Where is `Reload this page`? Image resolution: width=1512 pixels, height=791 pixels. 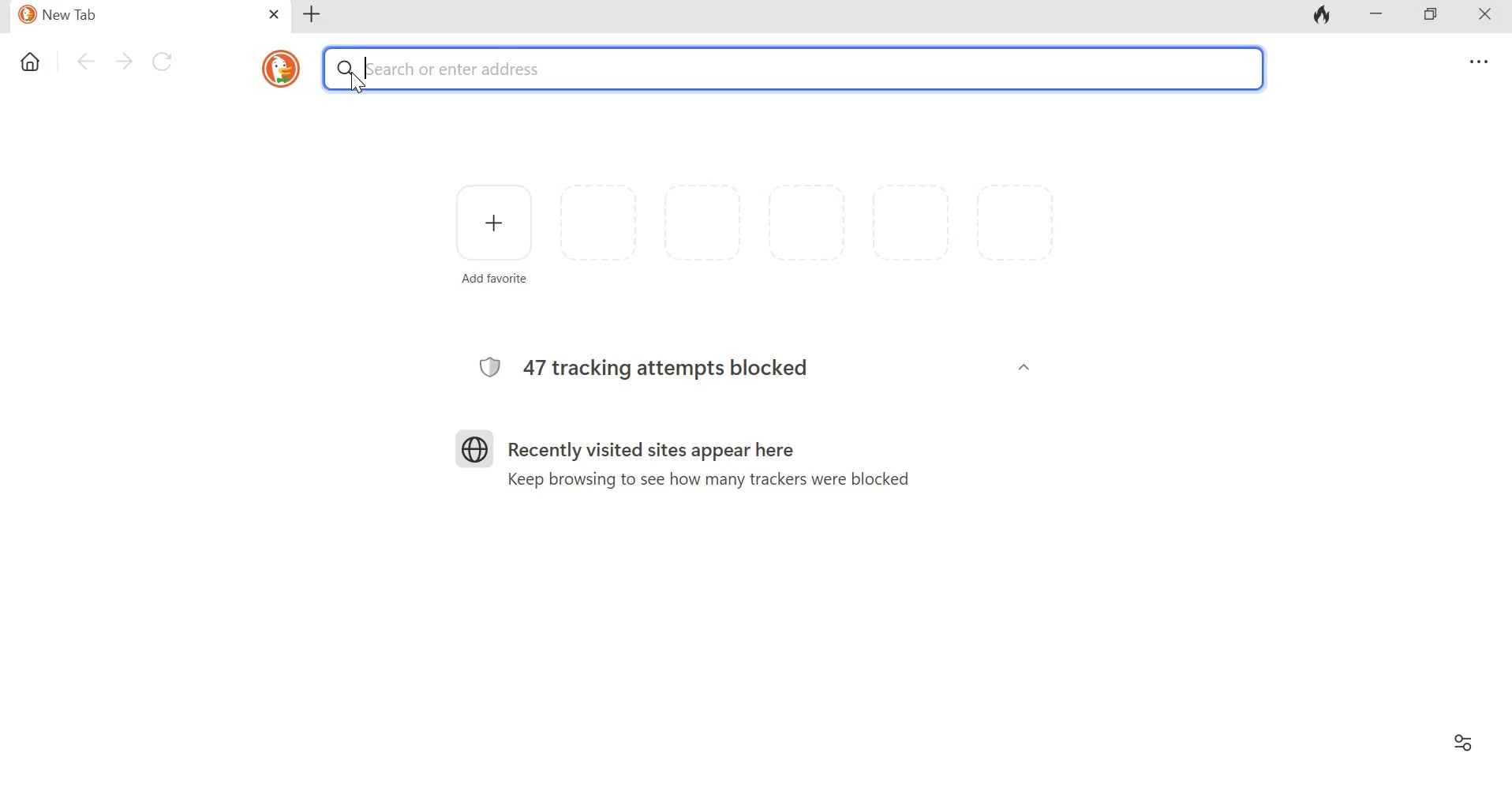
Reload this page is located at coordinates (162, 63).